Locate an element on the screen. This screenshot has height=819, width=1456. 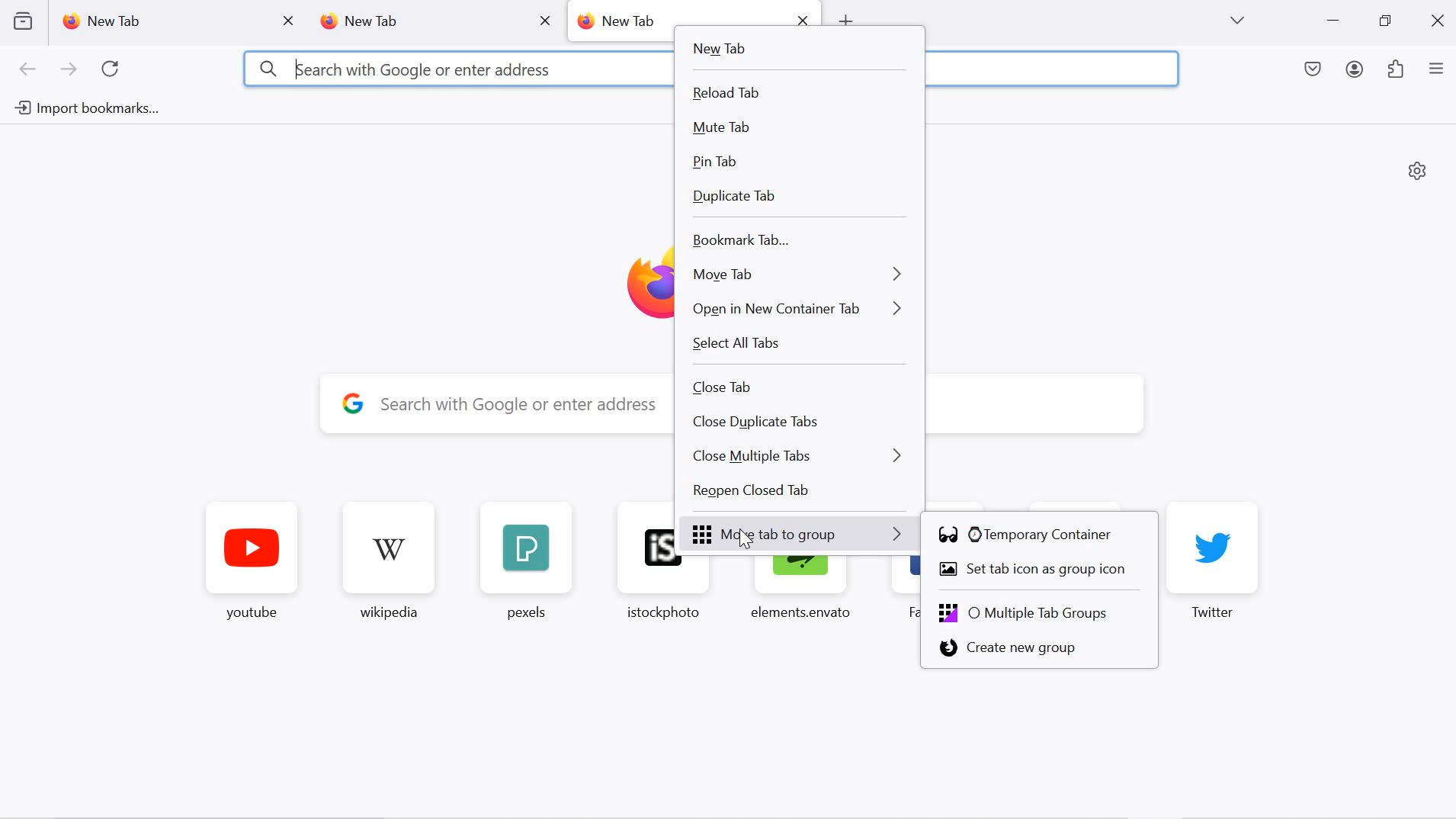
go back is located at coordinates (28, 70).